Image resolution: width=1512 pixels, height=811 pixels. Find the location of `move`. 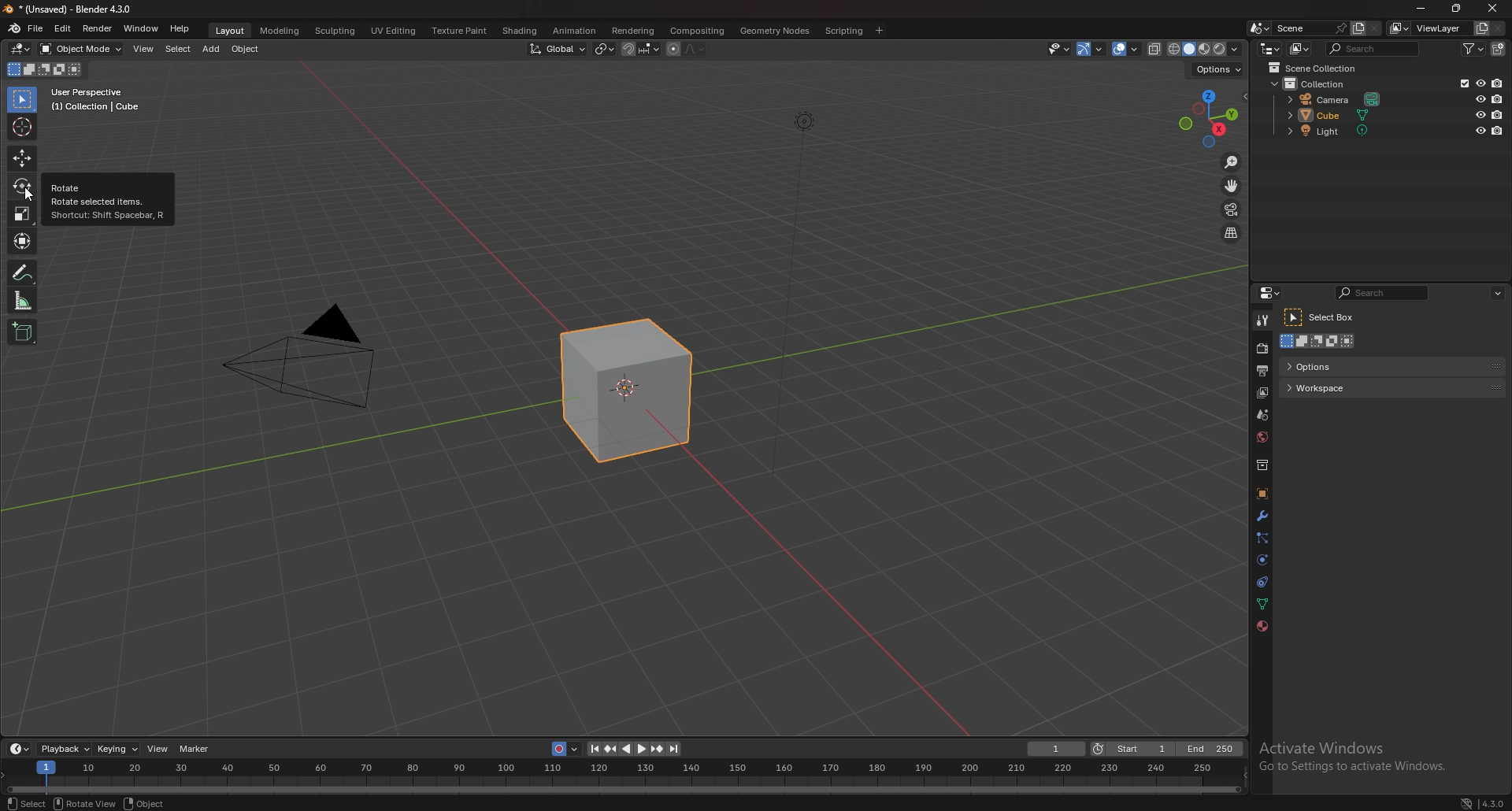

move is located at coordinates (1232, 185).